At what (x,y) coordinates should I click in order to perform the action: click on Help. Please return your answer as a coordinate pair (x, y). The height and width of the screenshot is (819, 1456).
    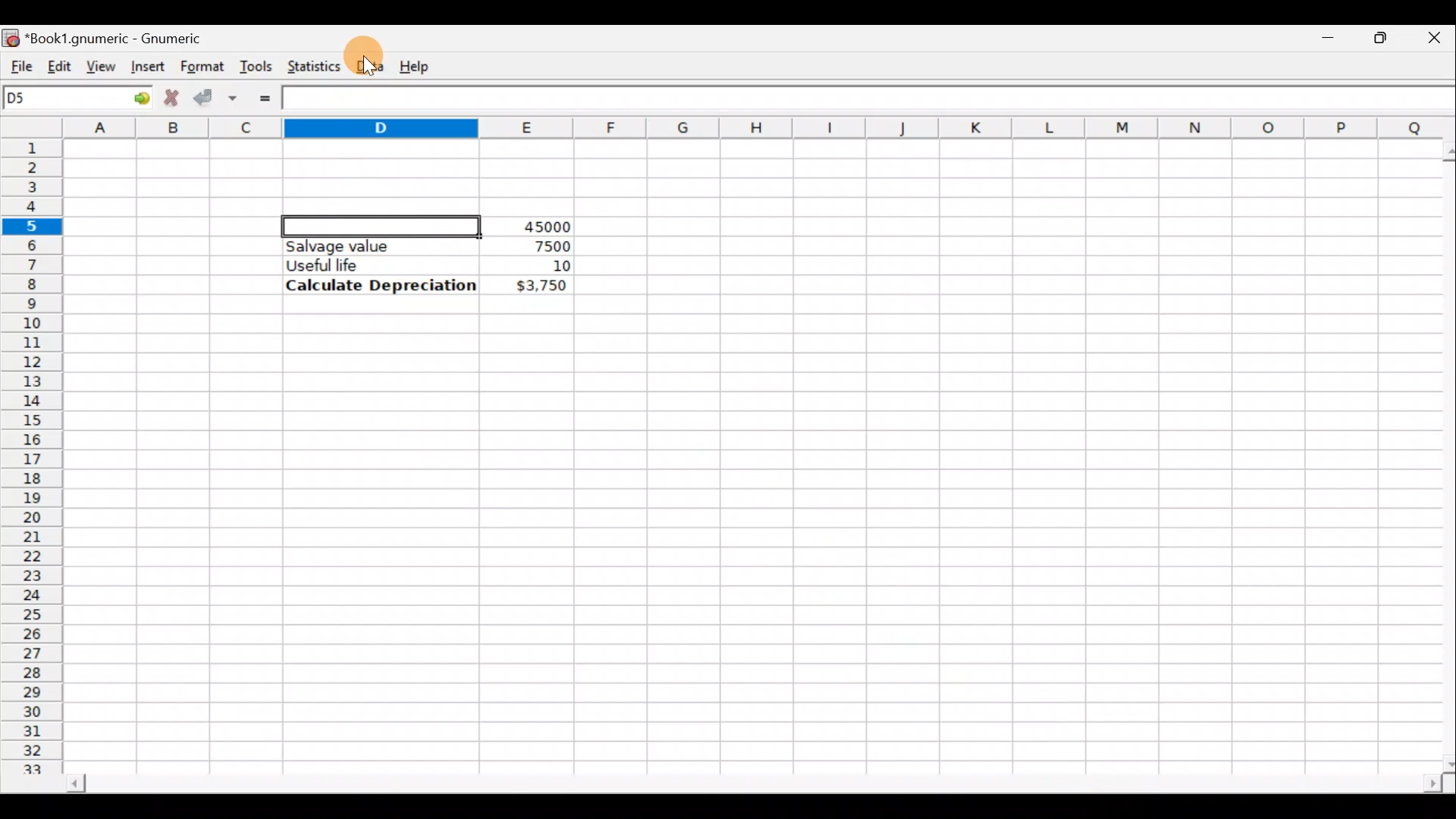
    Looking at the image, I should click on (417, 65).